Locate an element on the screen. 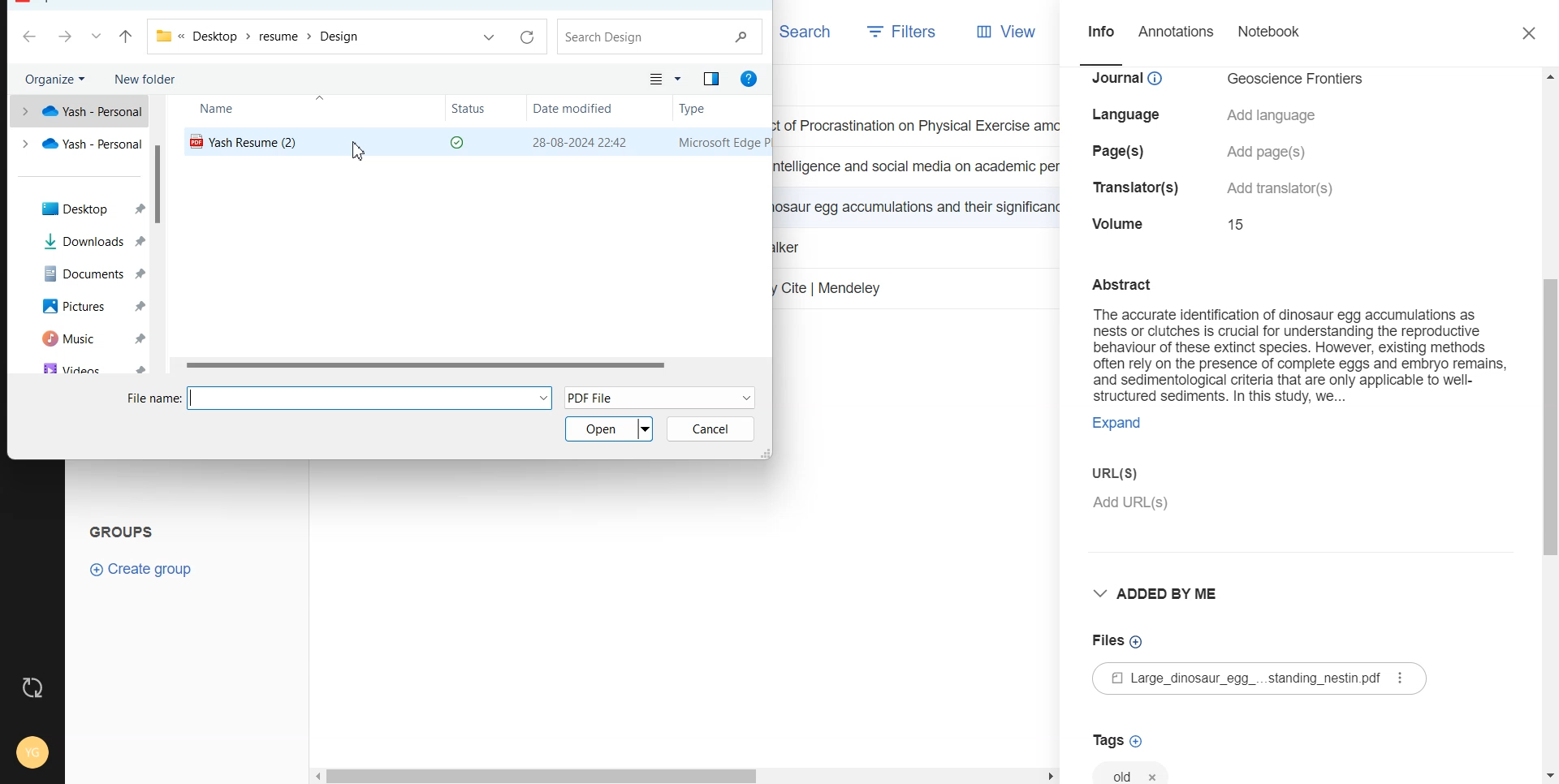 This screenshot has width=1559, height=784. Vertical scroll bar is located at coordinates (1549, 424).